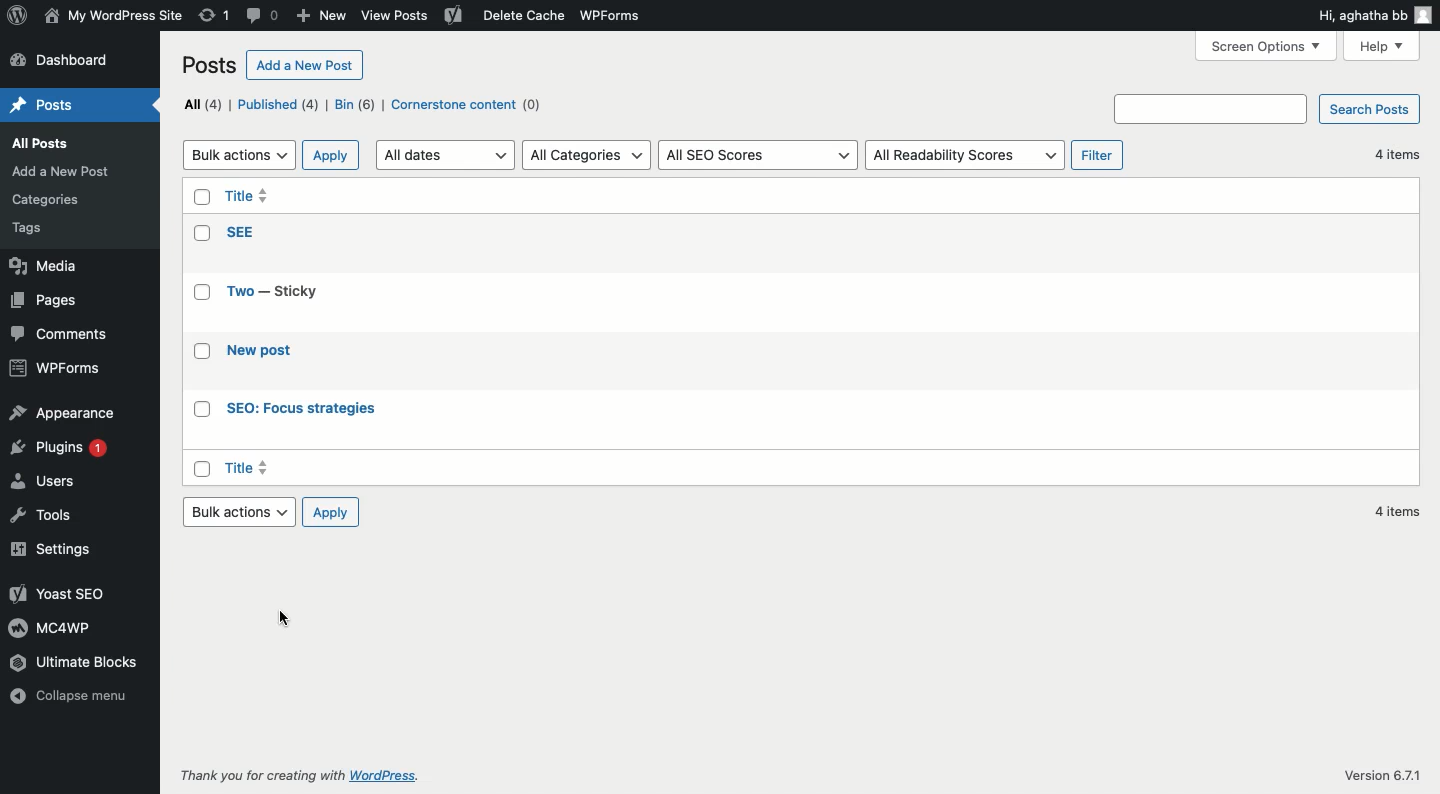 The image size is (1440, 794). What do you see at coordinates (331, 154) in the screenshot?
I see `Apply` at bounding box center [331, 154].